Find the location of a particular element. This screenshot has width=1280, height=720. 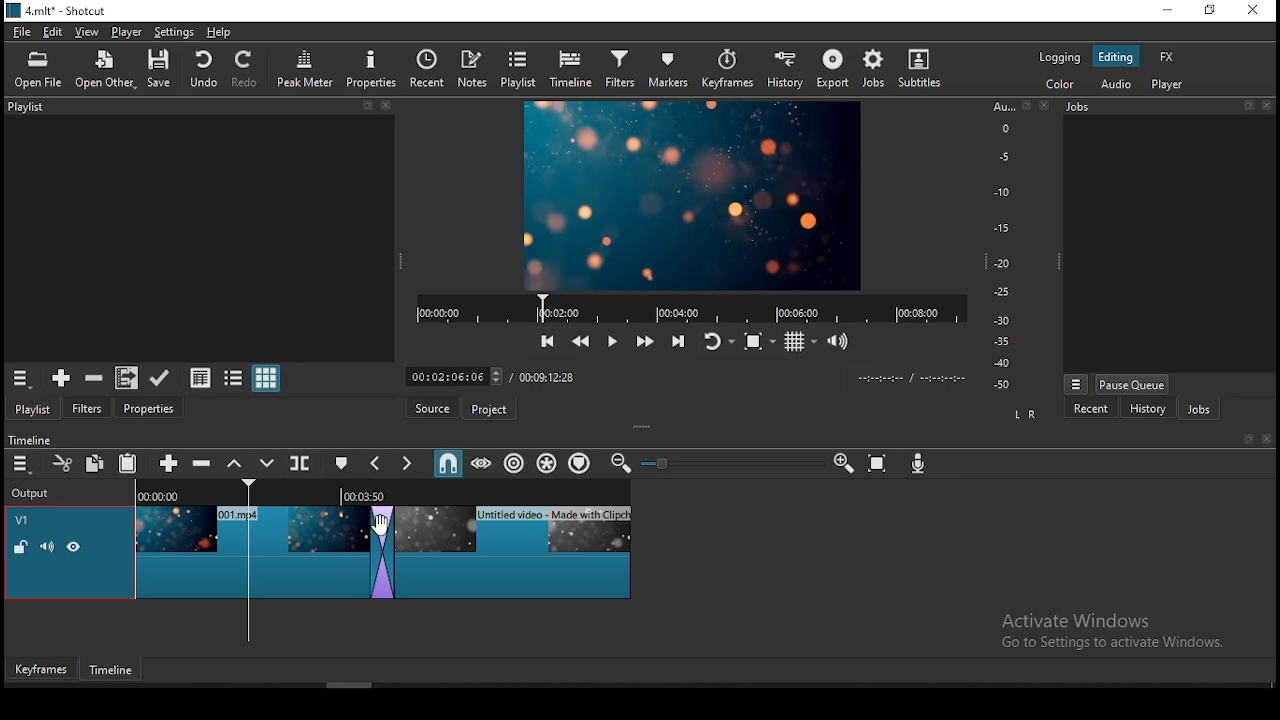

playlist is located at coordinates (520, 69).